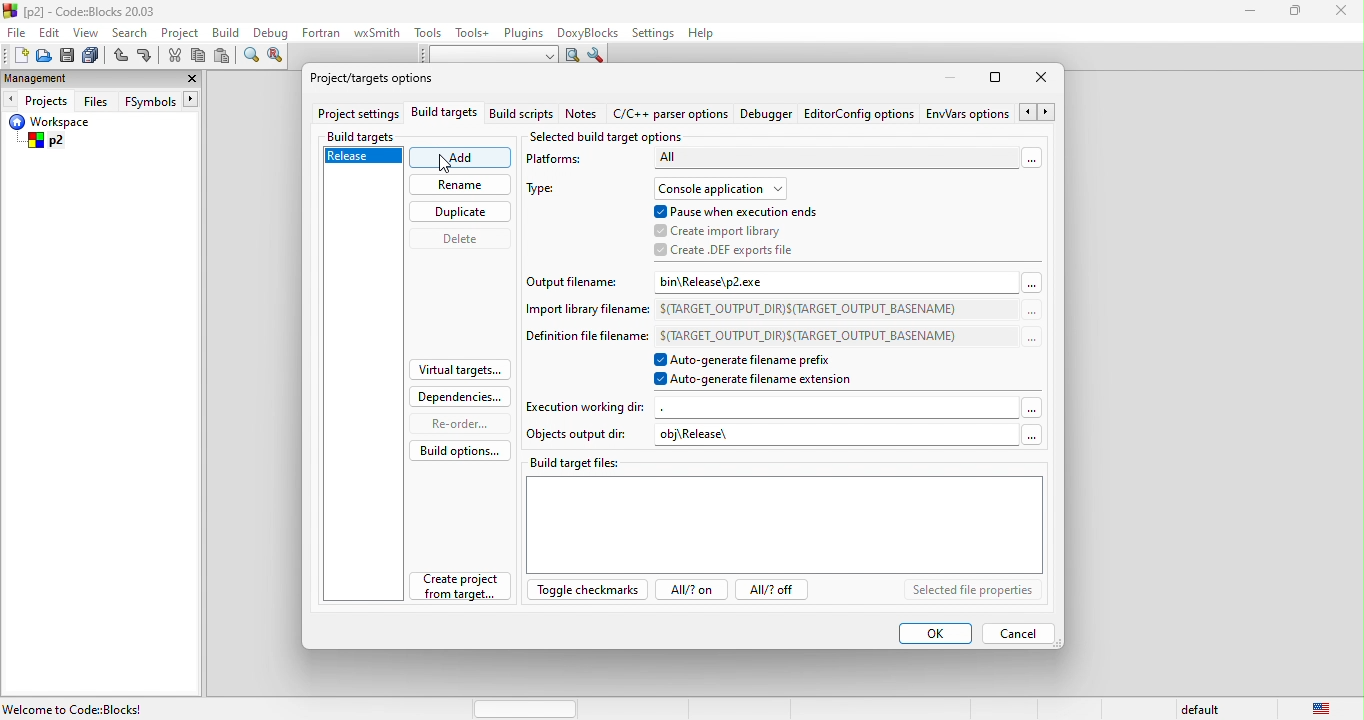  Describe the element at coordinates (51, 78) in the screenshot. I see `management` at that location.